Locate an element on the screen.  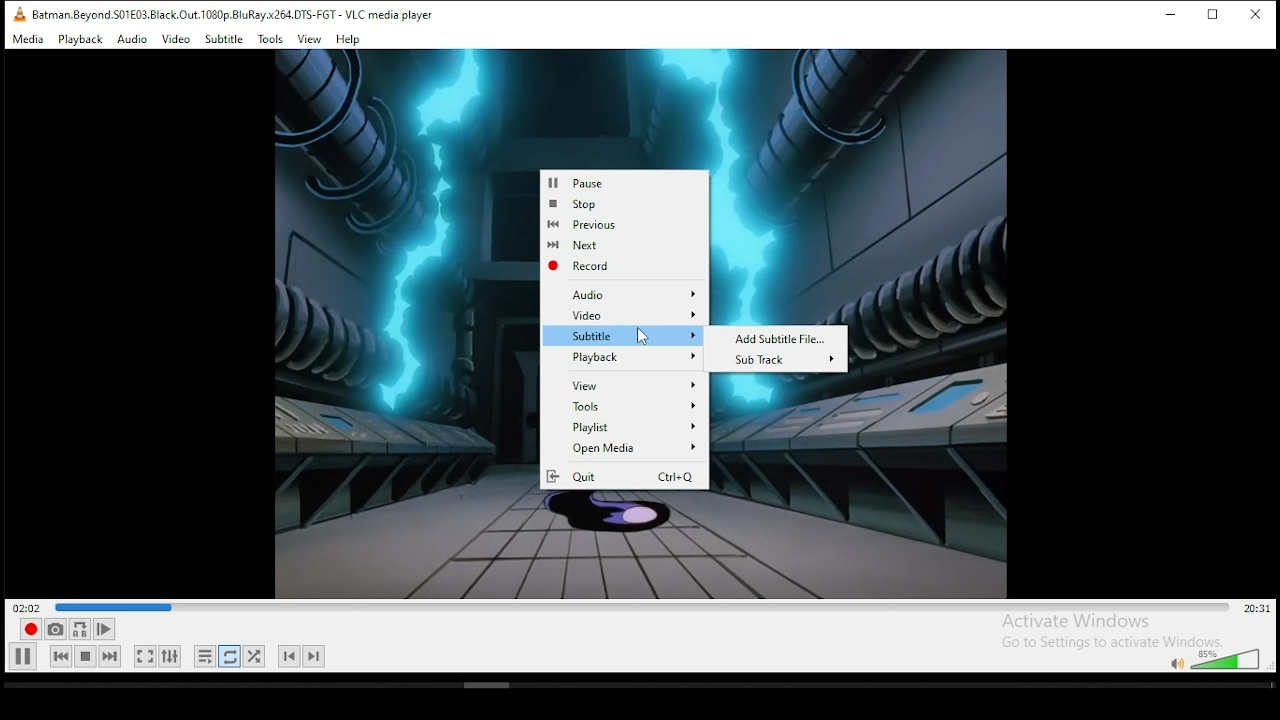
Pause is located at coordinates (621, 180).